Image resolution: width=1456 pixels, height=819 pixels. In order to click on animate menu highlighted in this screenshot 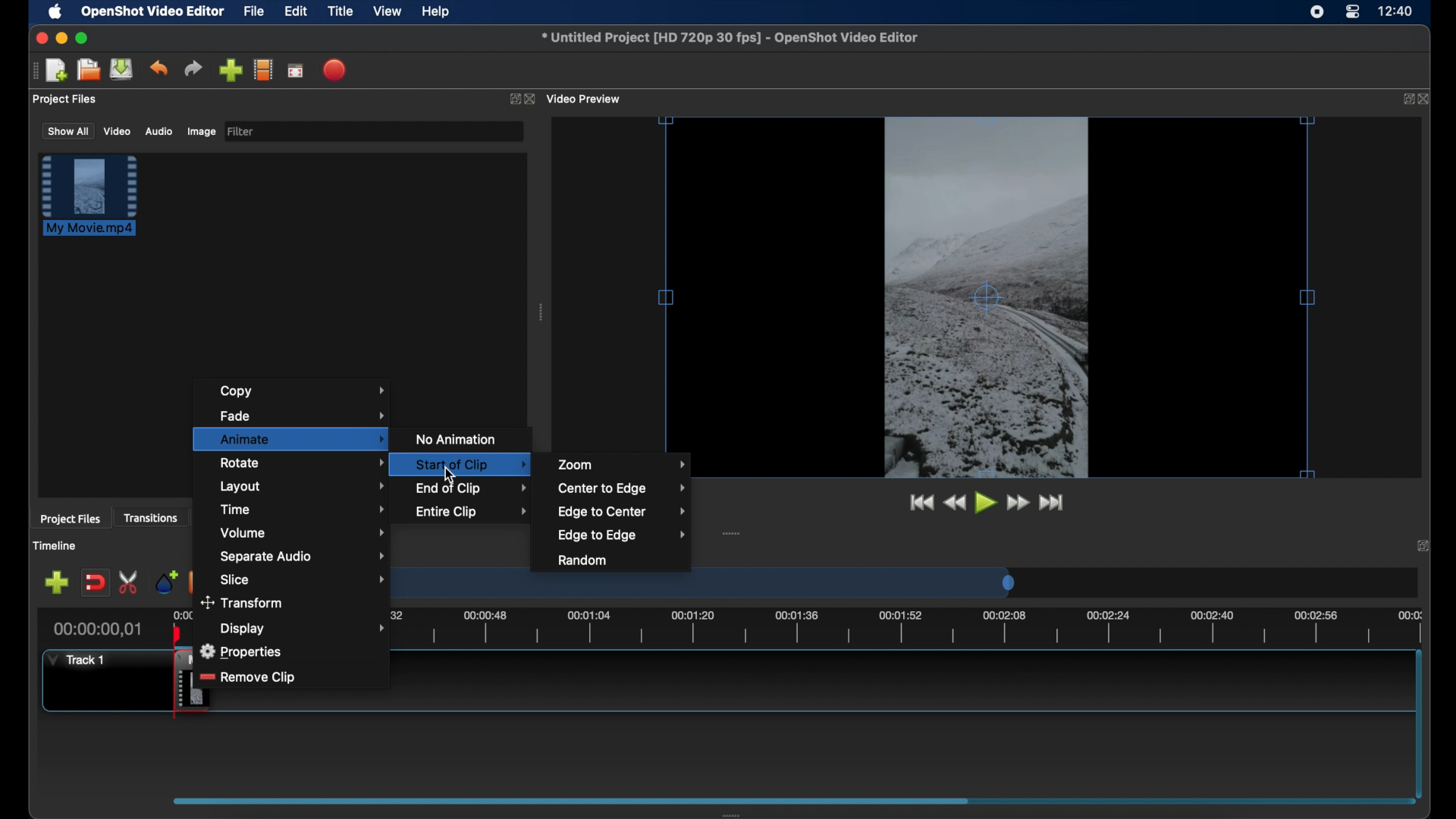, I will do `click(290, 438)`.